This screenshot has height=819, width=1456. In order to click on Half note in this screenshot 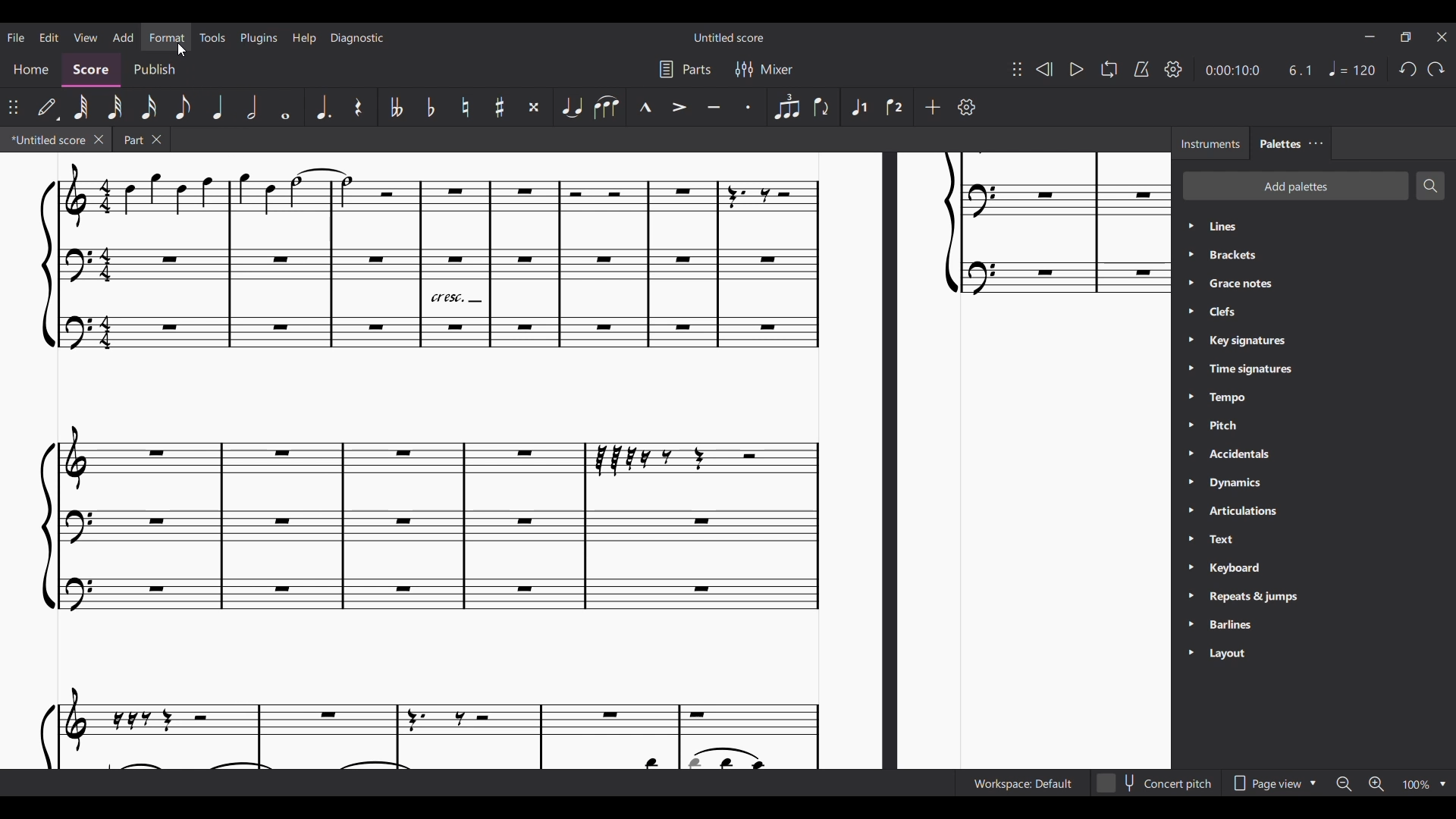, I will do `click(252, 107)`.